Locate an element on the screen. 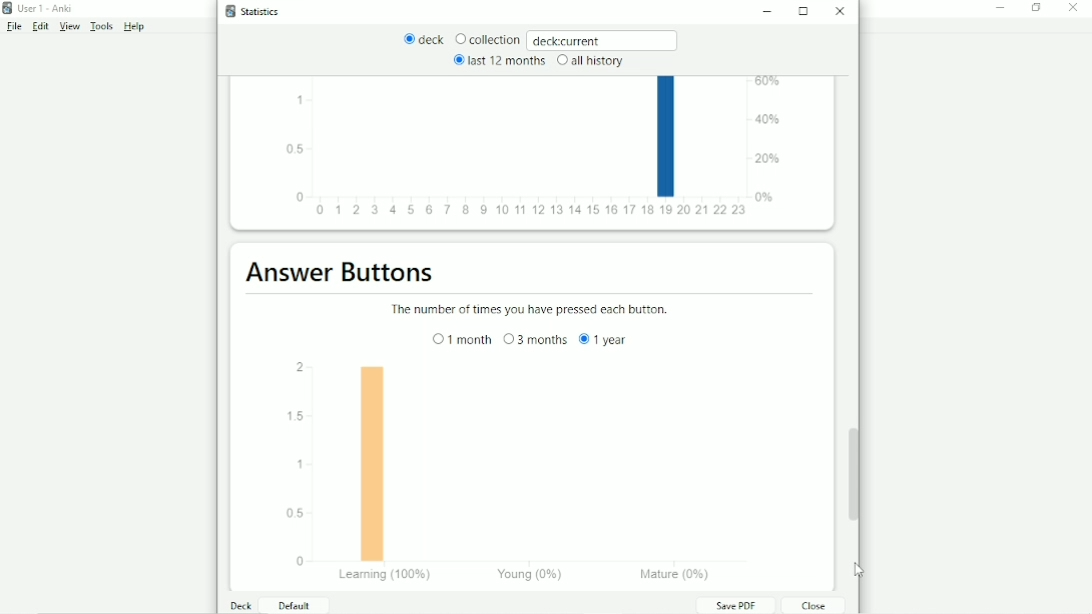 The image size is (1092, 614). Close is located at coordinates (811, 605).